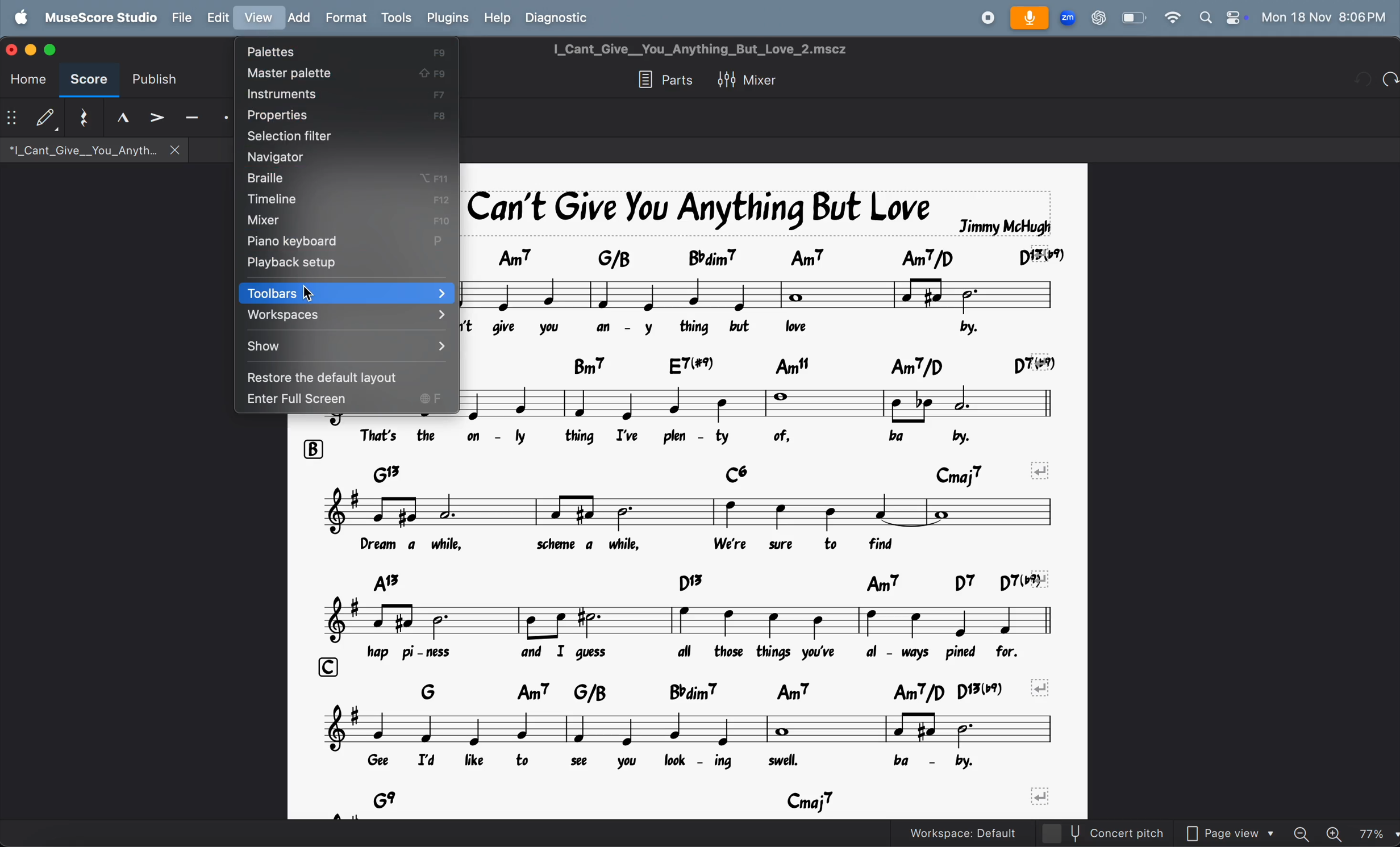 The width and height of the screenshot is (1400, 847). Describe the element at coordinates (1117, 835) in the screenshot. I see `concert pitch` at that location.